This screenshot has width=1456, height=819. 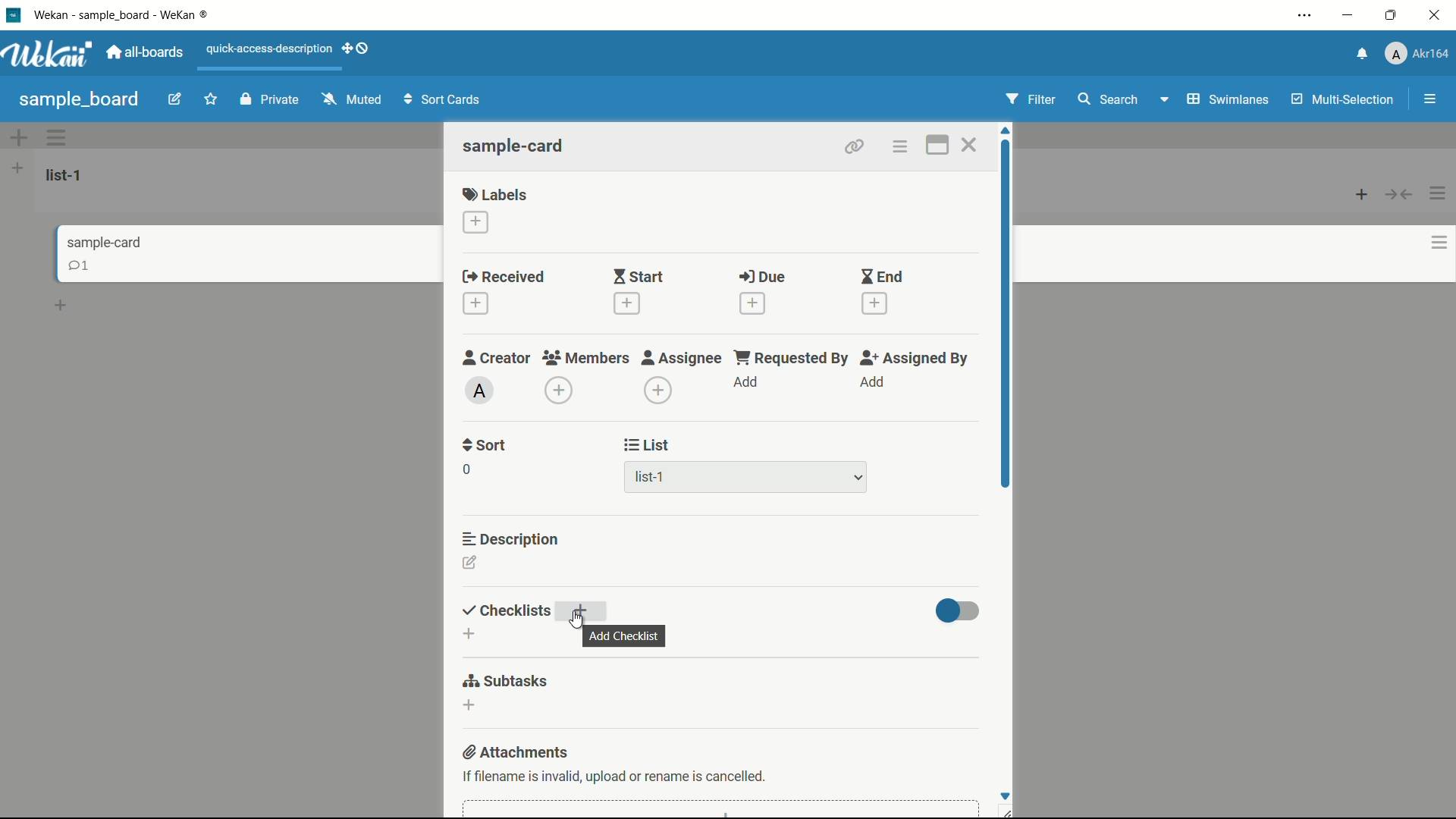 I want to click on labels, so click(x=497, y=193).